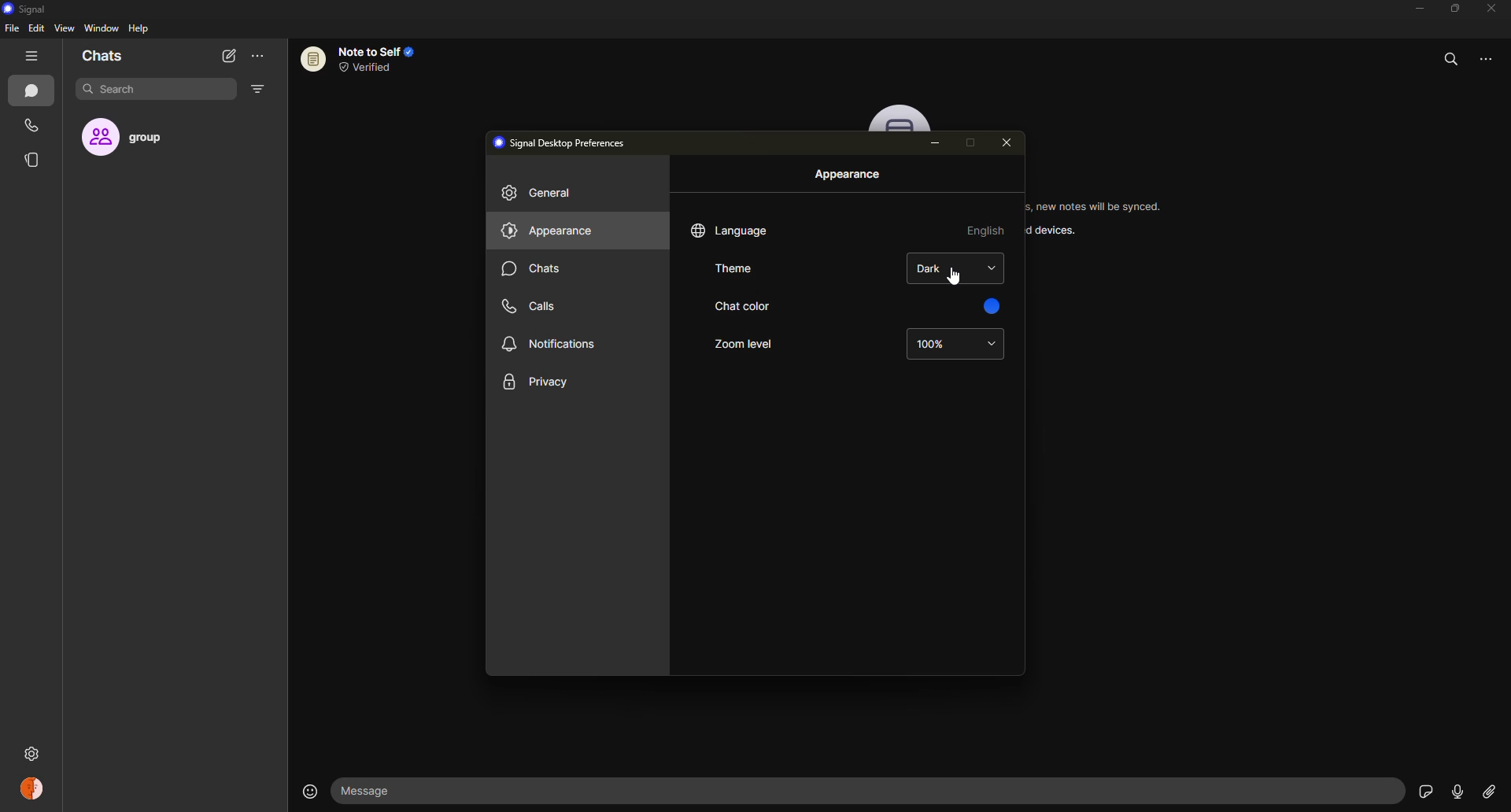 Image resolution: width=1511 pixels, height=812 pixels. What do you see at coordinates (1451, 56) in the screenshot?
I see `search` at bounding box center [1451, 56].